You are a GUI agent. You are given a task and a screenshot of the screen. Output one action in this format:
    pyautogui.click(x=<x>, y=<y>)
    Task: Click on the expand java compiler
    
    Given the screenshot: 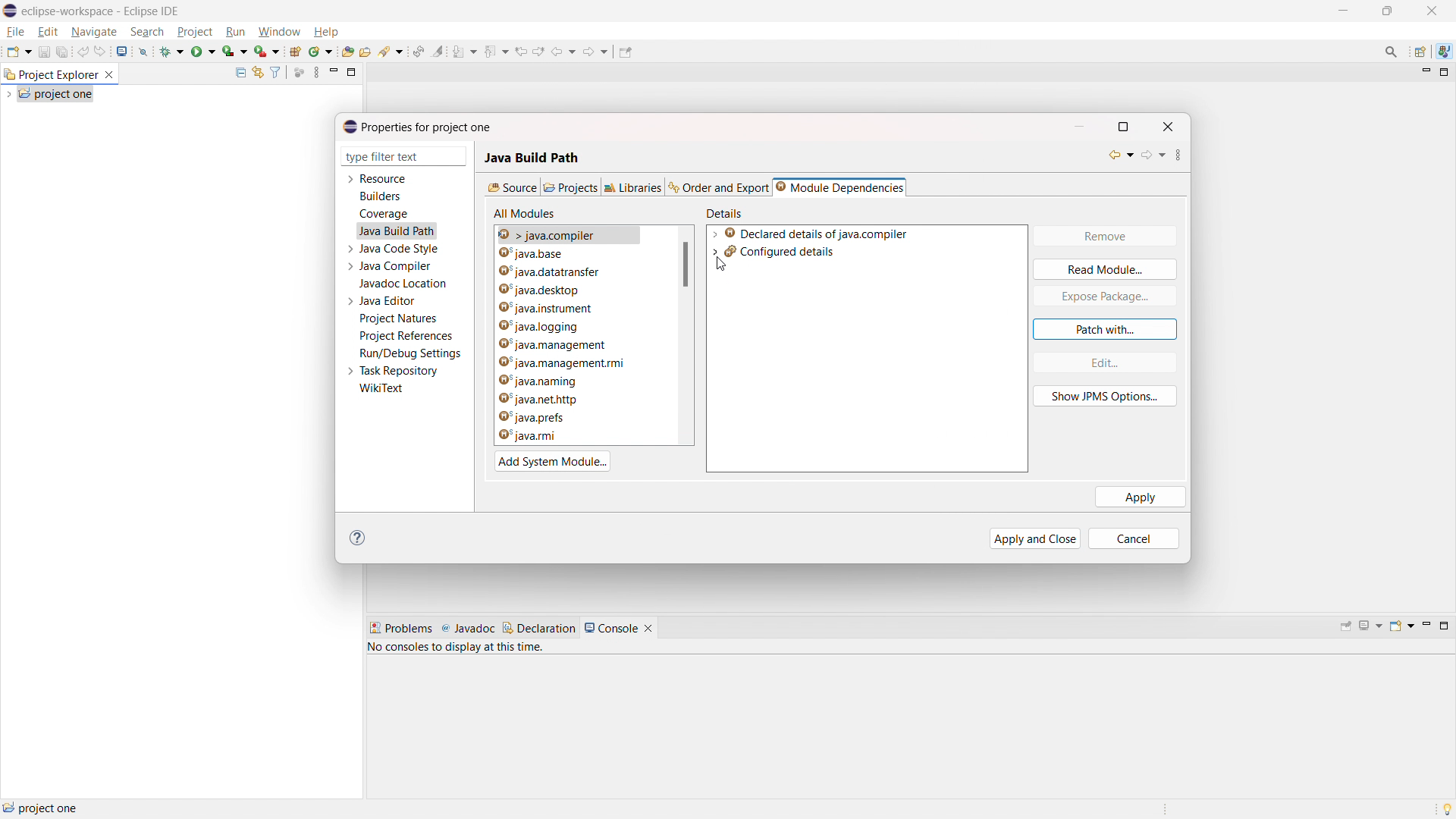 What is the action you would take?
    pyautogui.click(x=350, y=266)
    